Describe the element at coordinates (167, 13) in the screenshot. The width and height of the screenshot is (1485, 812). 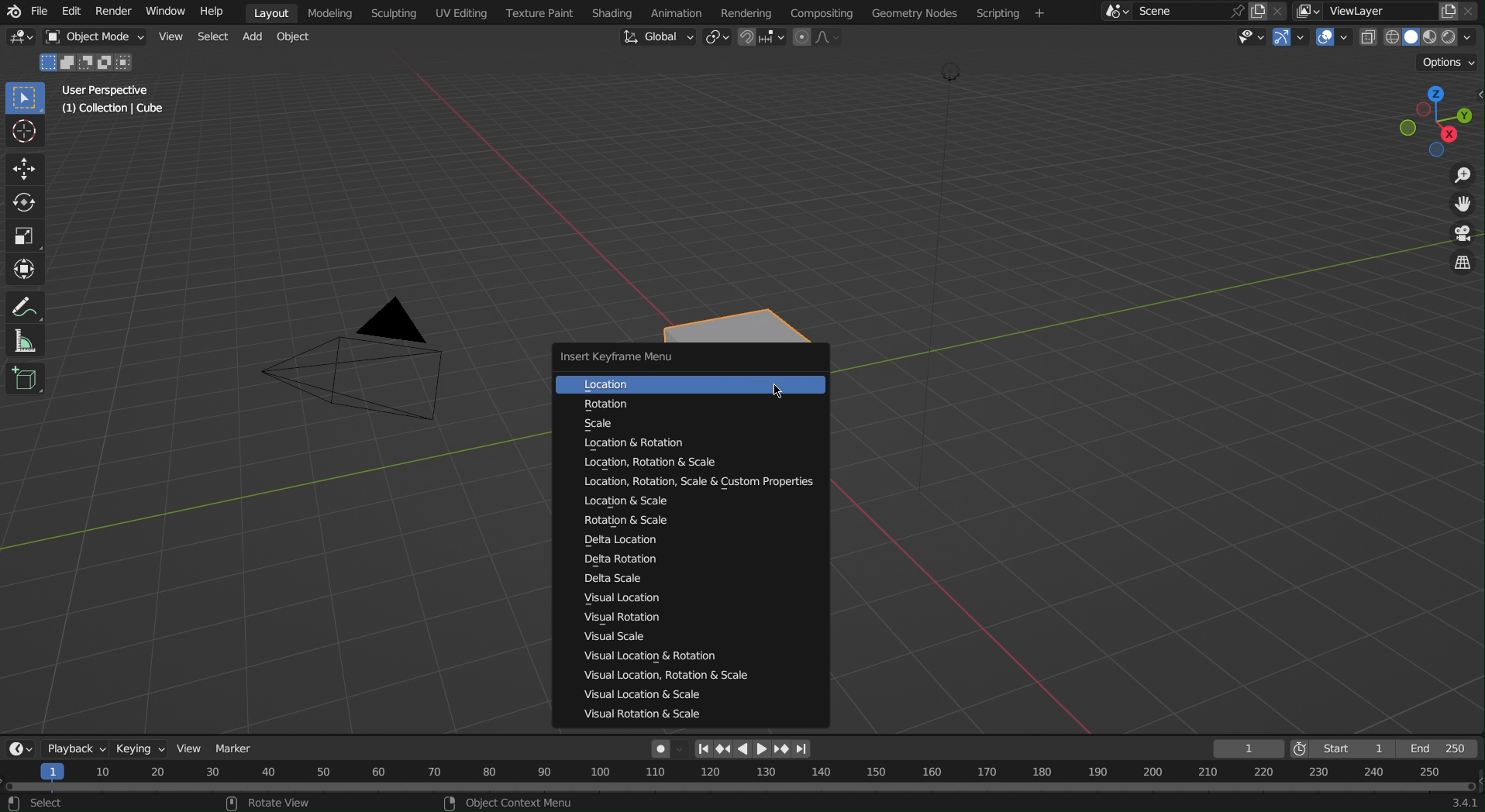
I see `Window` at that location.